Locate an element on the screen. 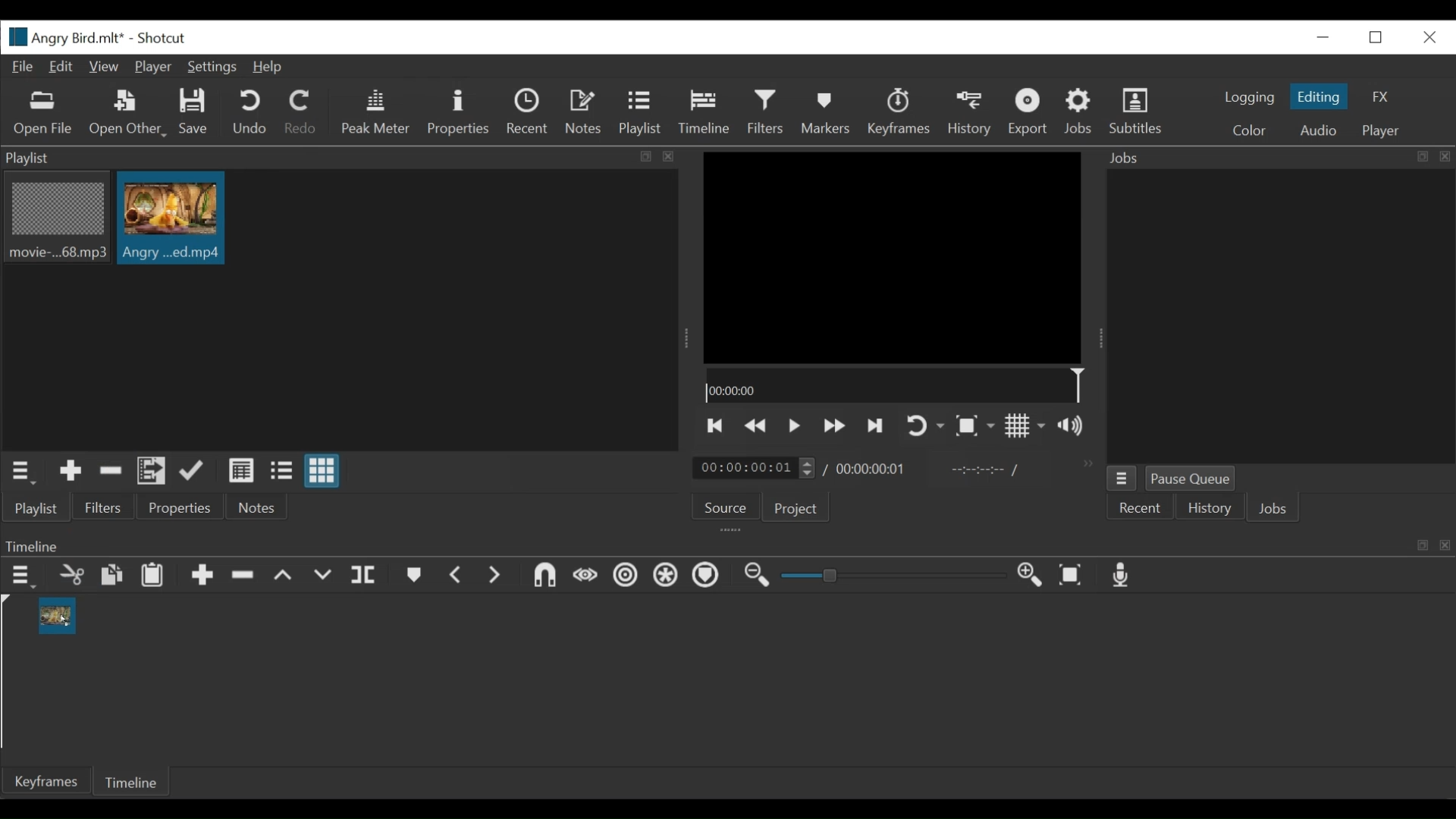  Scrub while dragging is located at coordinates (585, 578).